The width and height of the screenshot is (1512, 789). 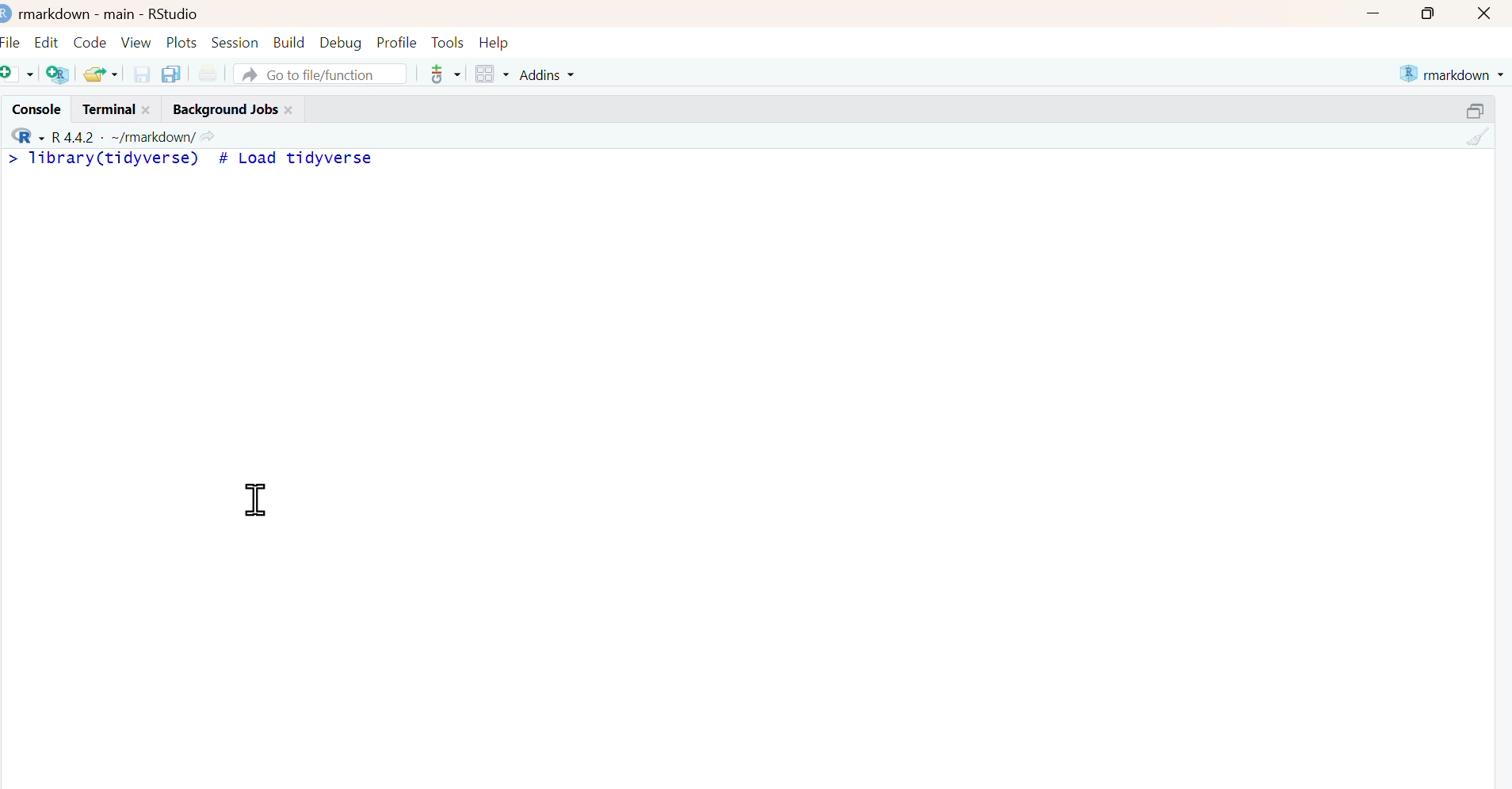 What do you see at coordinates (236, 40) in the screenshot?
I see `Session` at bounding box center [236, 40].